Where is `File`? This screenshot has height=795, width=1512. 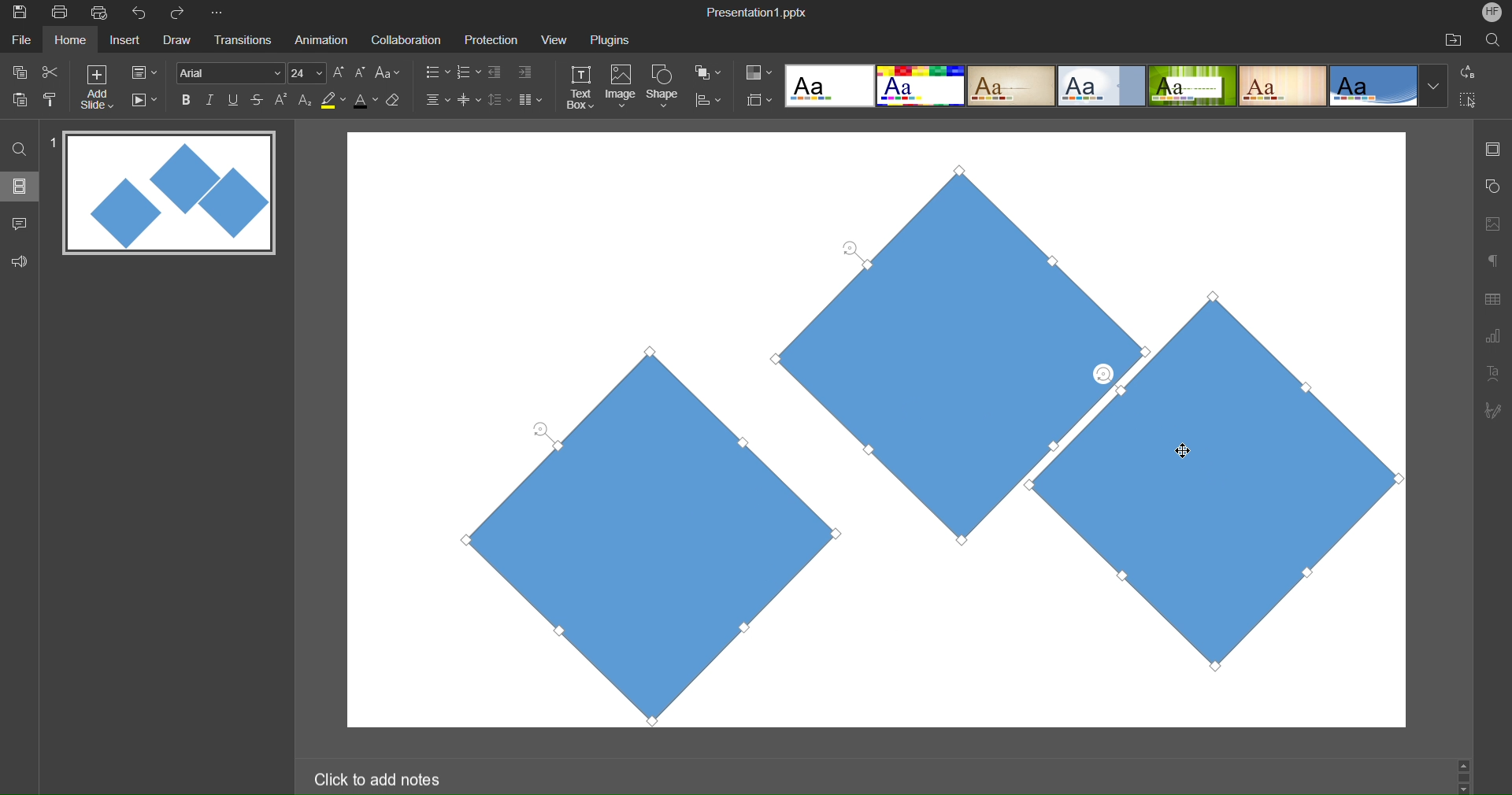 File is located at coordinates (24, 39).